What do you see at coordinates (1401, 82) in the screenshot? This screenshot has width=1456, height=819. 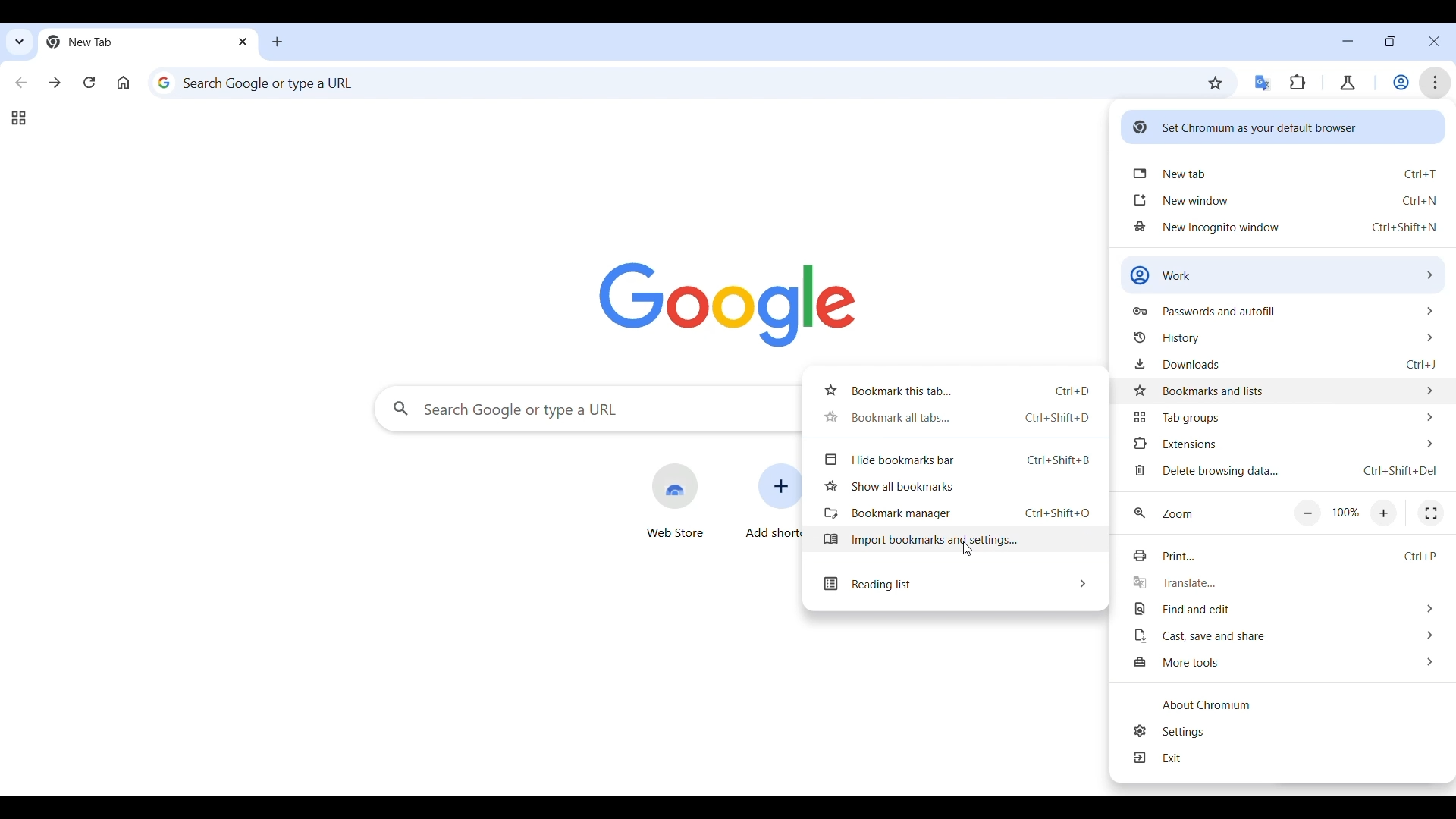 I see `Work` at bounding box center [1401, 82].